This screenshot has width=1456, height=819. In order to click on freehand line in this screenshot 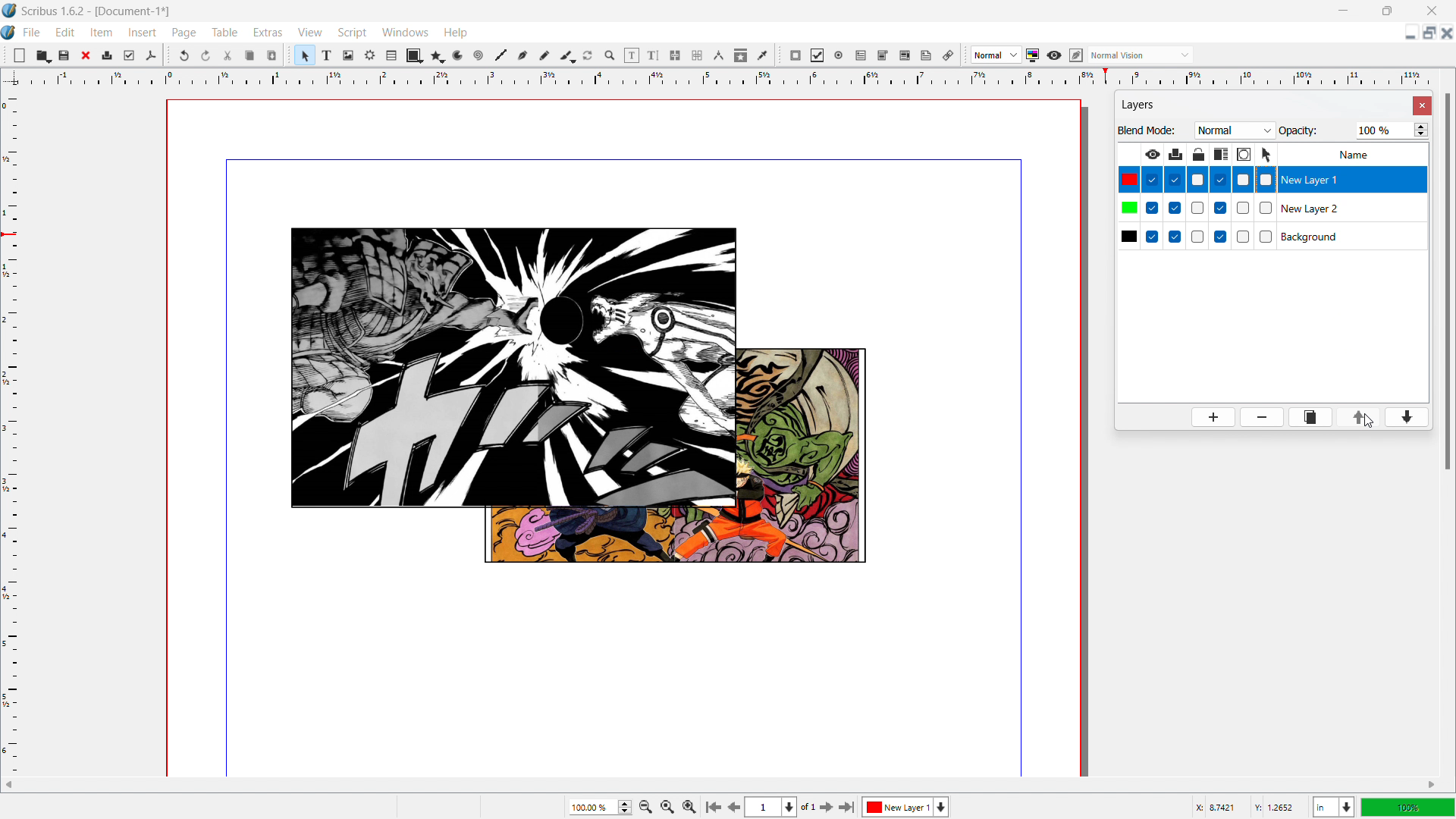, I will do `click(544, 56)`.